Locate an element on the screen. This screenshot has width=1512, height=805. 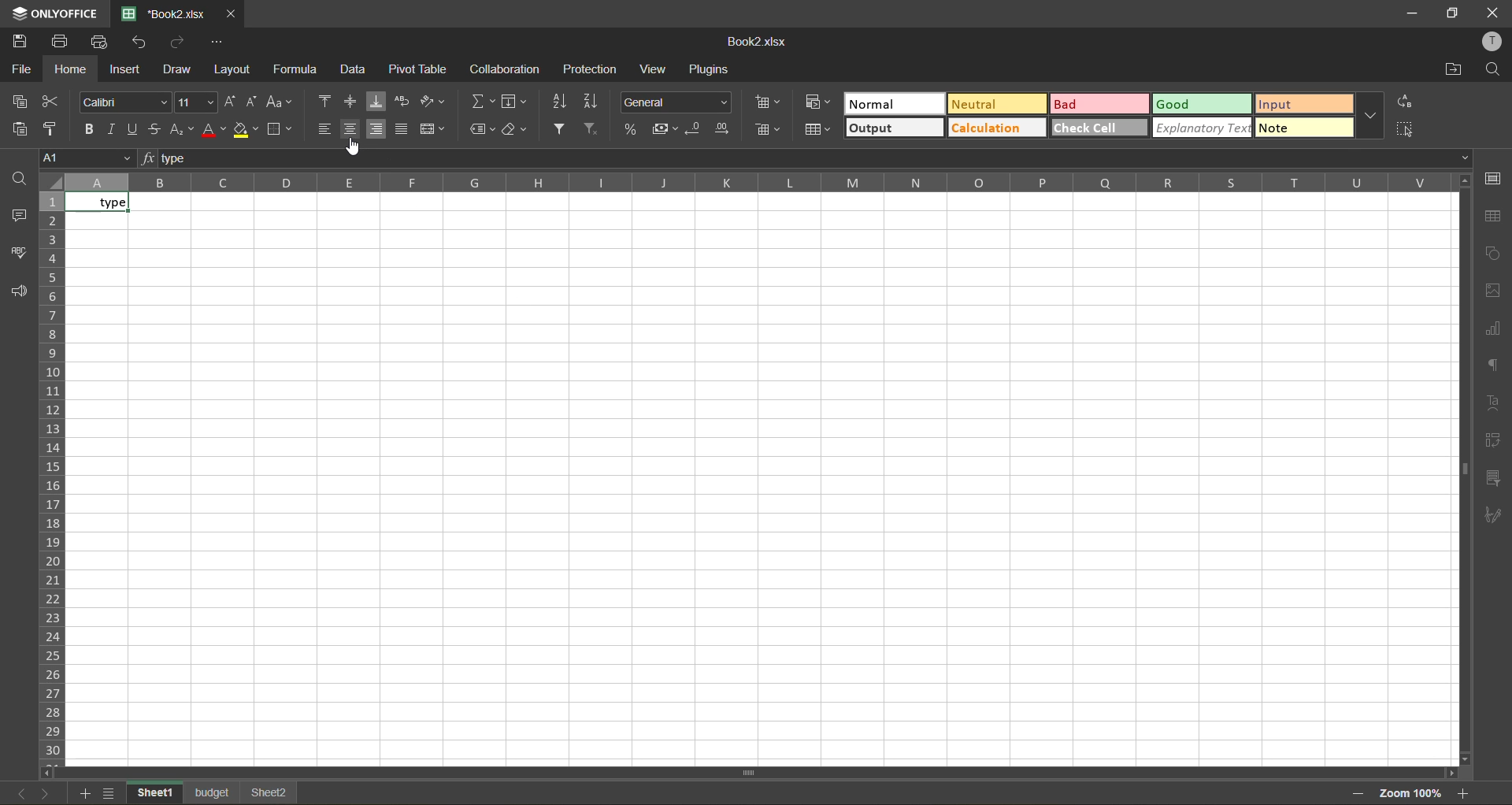
type is located at coordinates (102, 204).